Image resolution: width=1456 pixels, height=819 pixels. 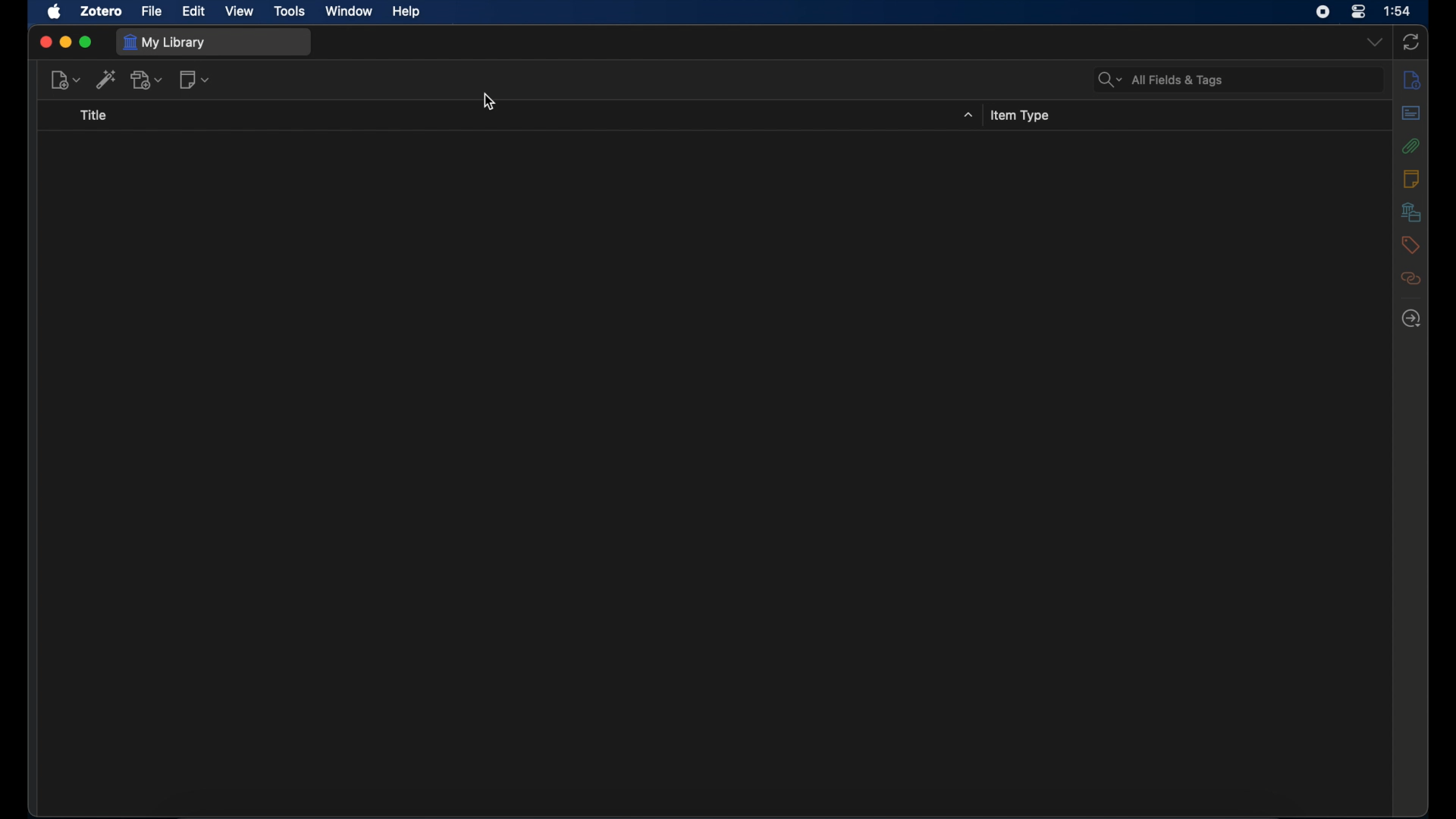 I want to click on item type, so click(x=1022, y=115).